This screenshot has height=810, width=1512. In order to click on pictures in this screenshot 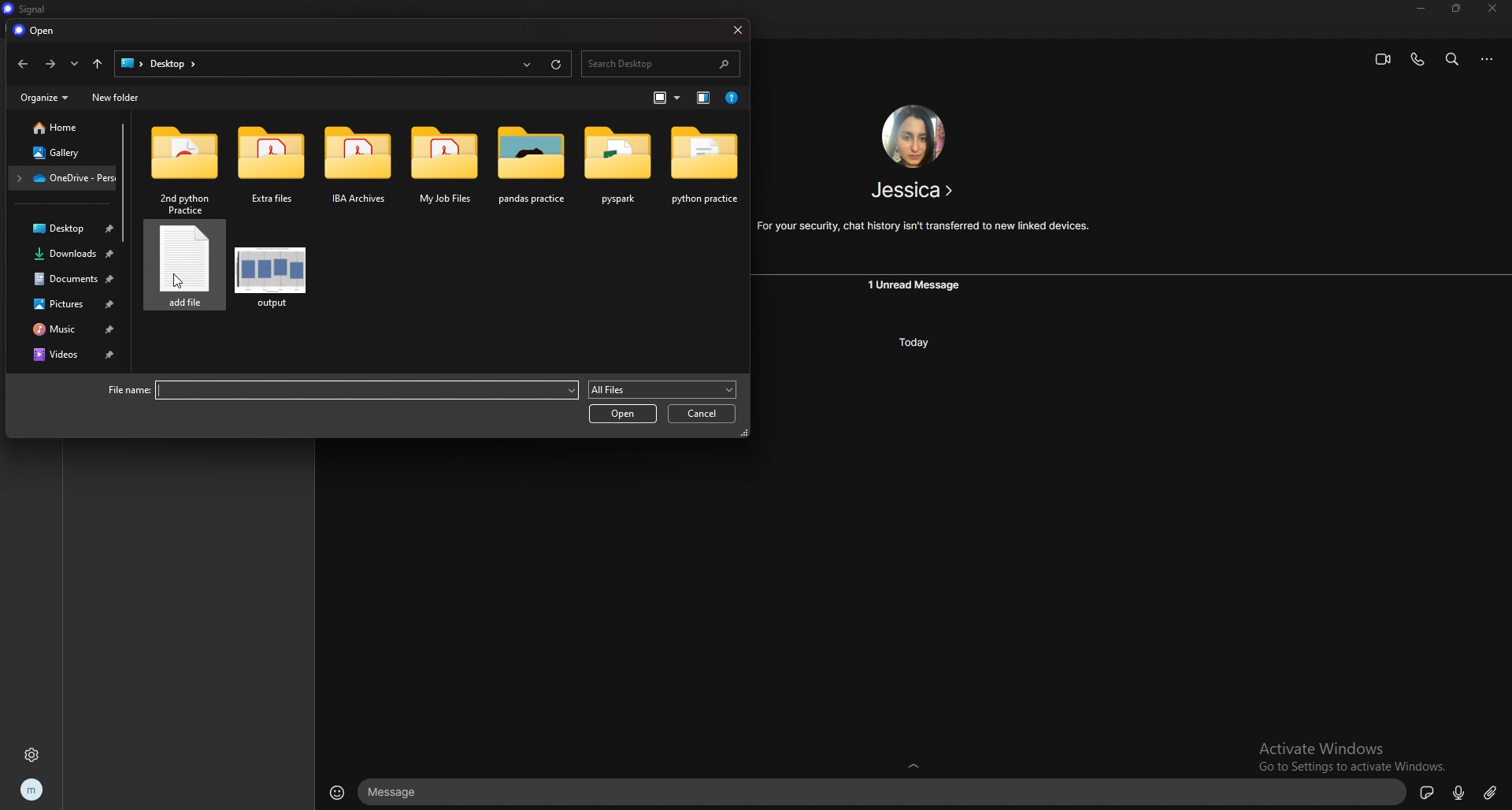, I will do `click(65, 303)`.